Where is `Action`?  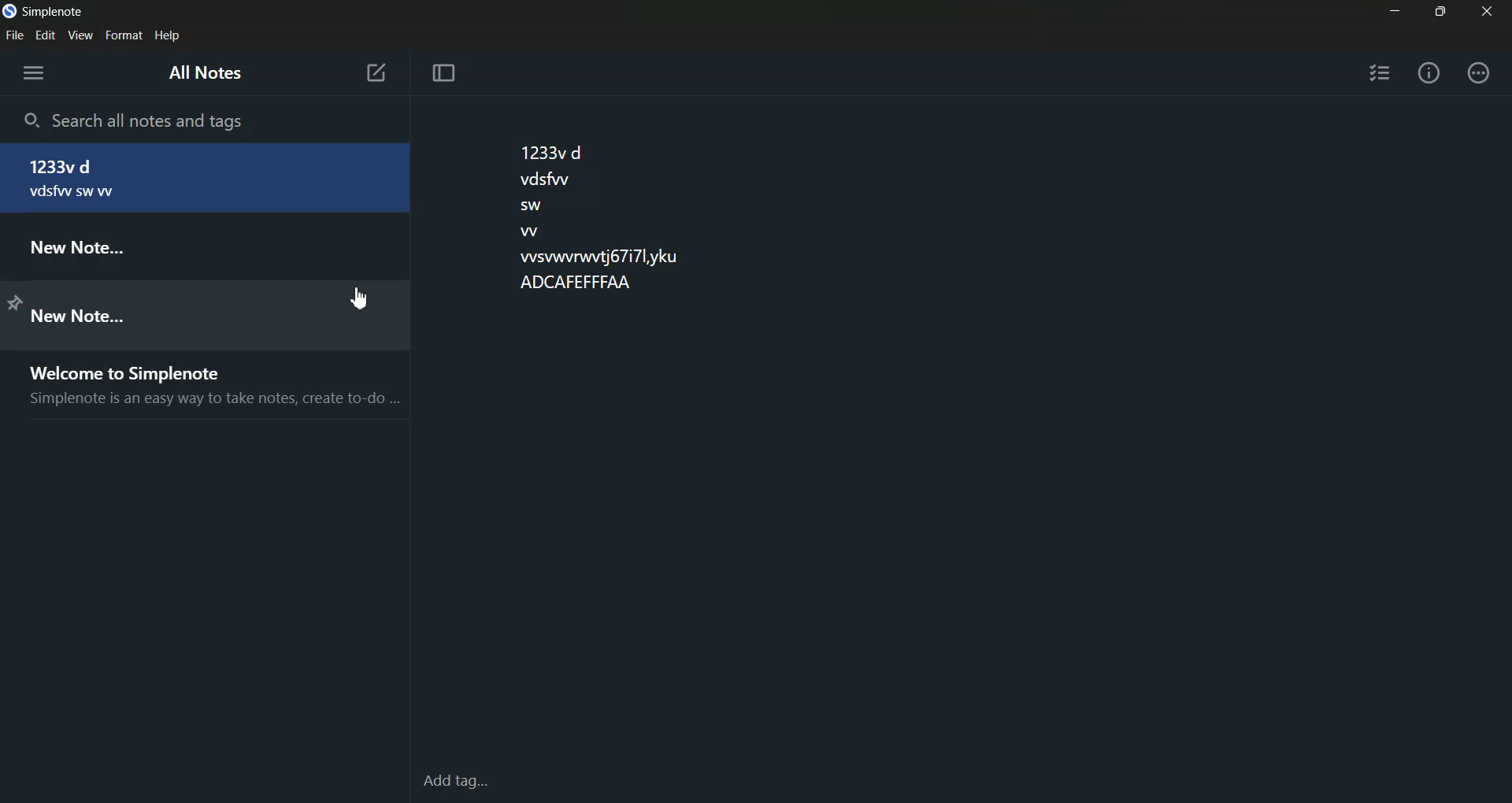
Action is located at coordinates (1479, 72).